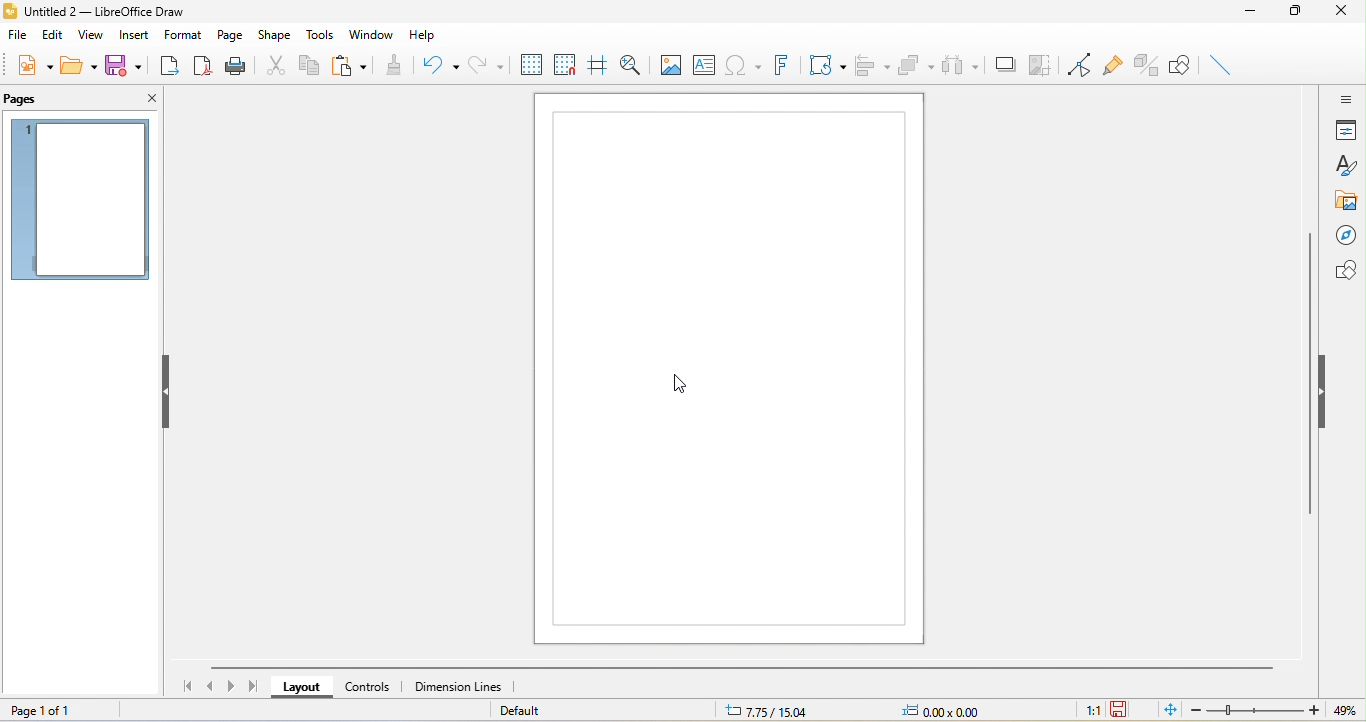 The width and height of the screenshot is (1366, 722). What do you see at coordinates (915, 65) in the screenshot?
I see `arrange` at bounding box center [915, 65].